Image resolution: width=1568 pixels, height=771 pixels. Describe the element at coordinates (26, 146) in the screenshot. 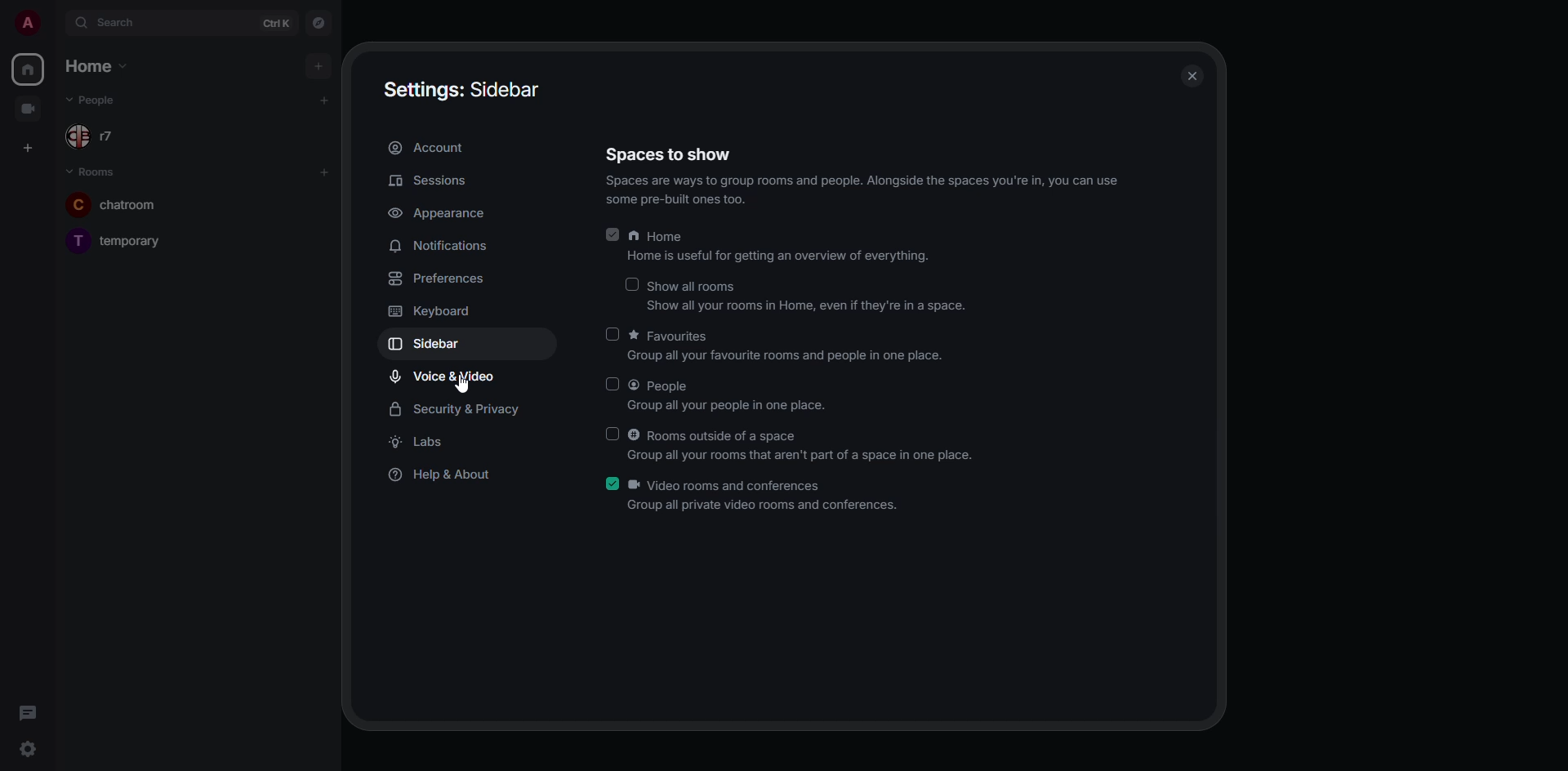

I see `create space` at that location.